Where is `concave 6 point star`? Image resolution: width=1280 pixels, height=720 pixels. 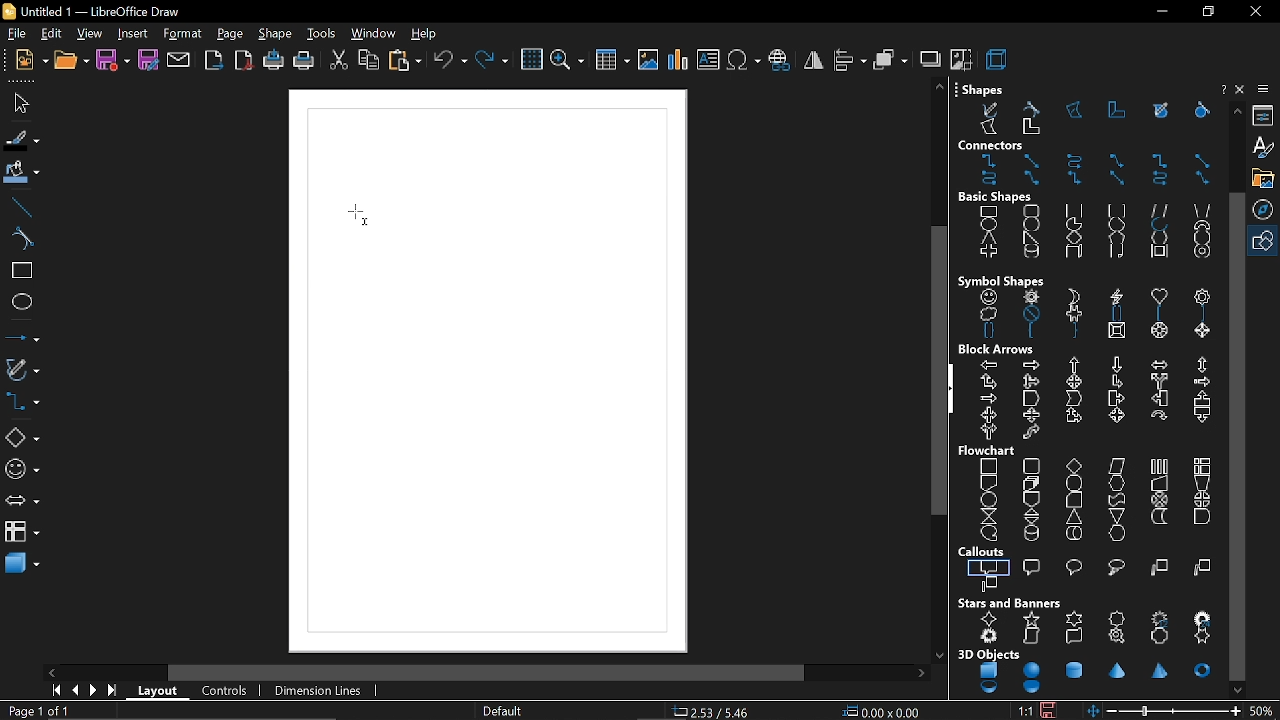
concave 6 point star is located at coordinates (1203, 637).